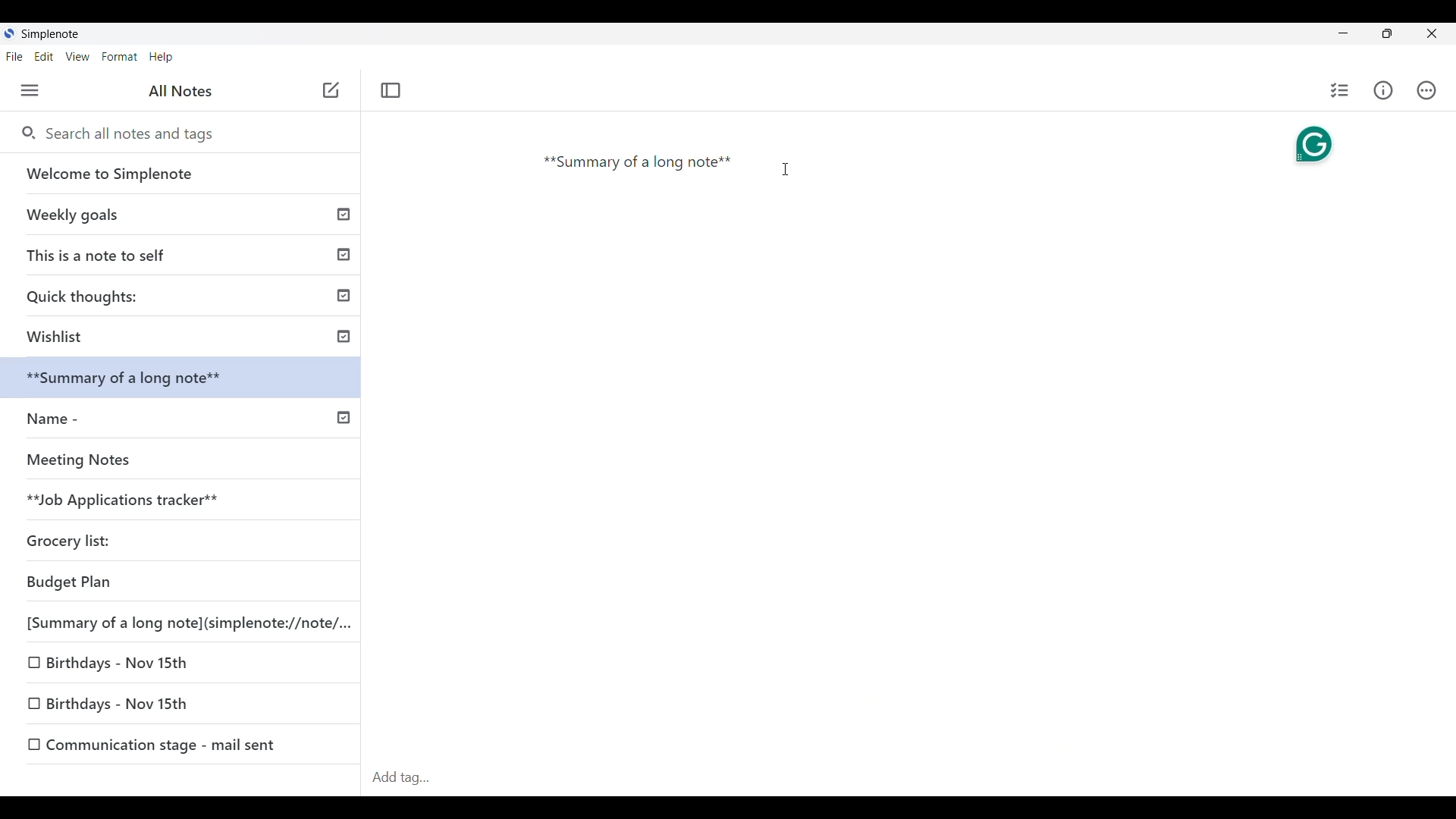 Image resolution: width=1456 pixels, height=819 pixels. What do you see at coordinates (193, 624) in the screenshot?
I see `[Summary of a long note](simplenote://note/...` at bounding box center [193, 624].